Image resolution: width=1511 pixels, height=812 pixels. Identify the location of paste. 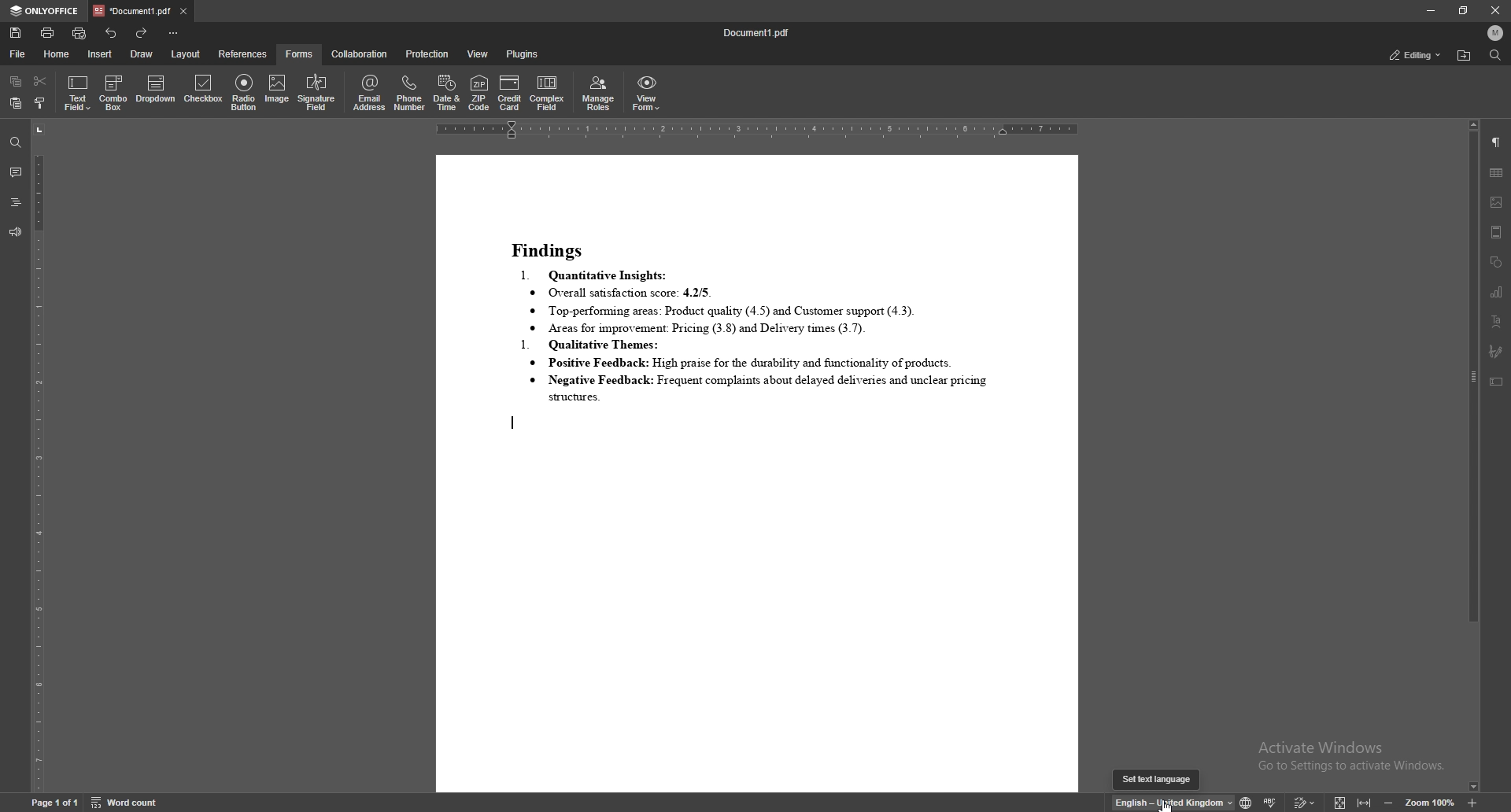
(16, 103).